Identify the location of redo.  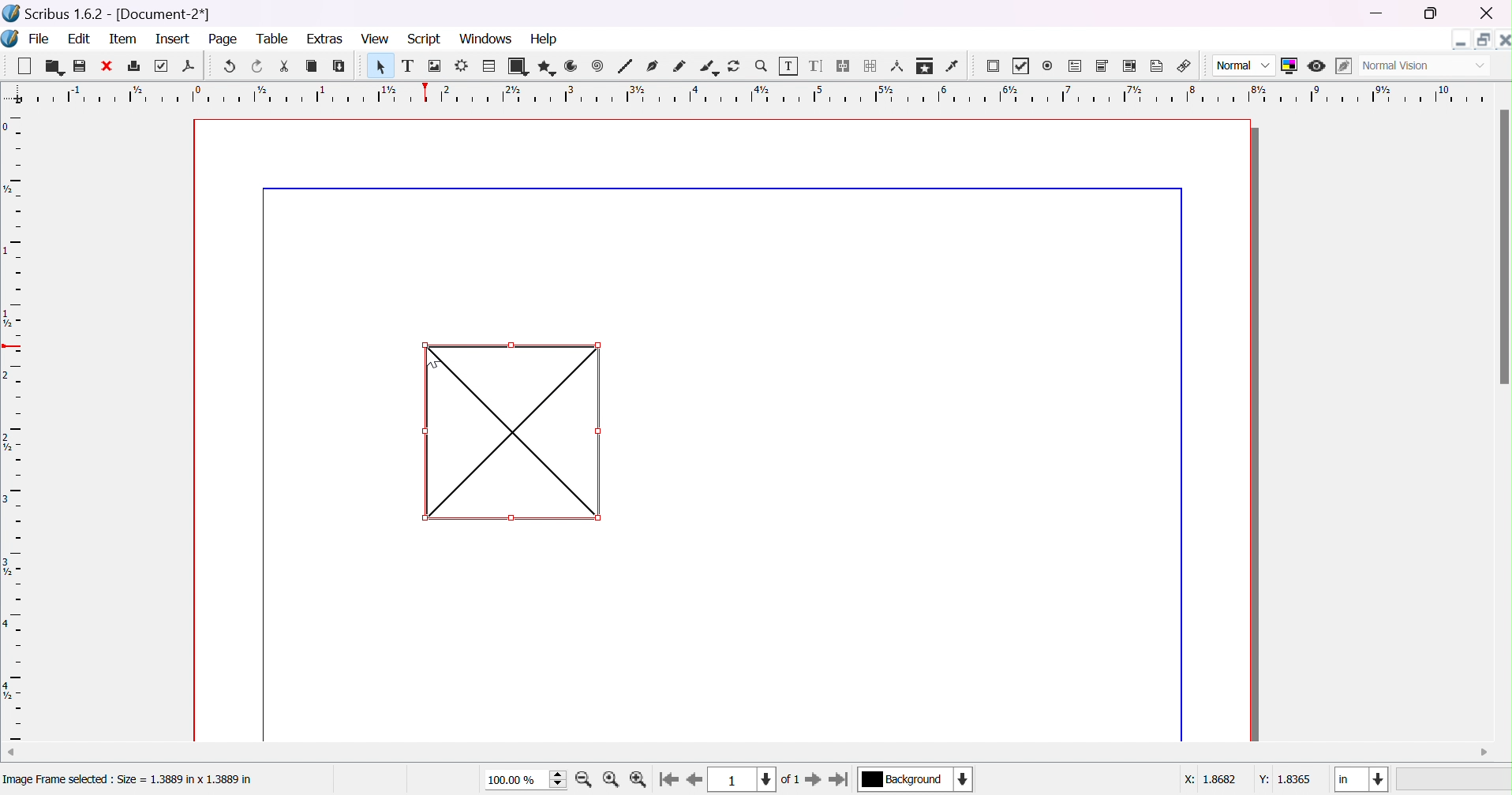
(258, 66).